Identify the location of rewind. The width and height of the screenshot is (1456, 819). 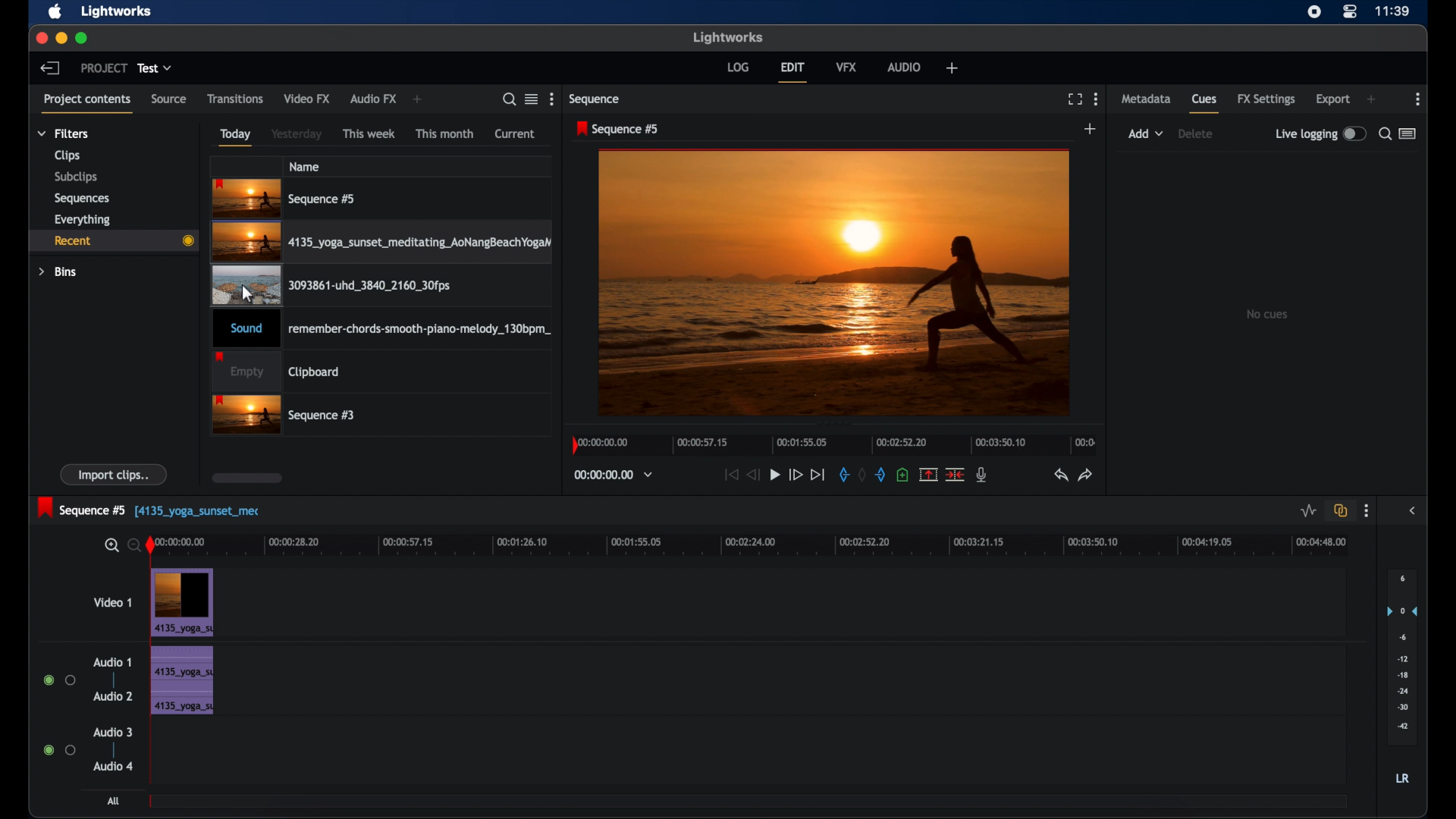
(754, 474).